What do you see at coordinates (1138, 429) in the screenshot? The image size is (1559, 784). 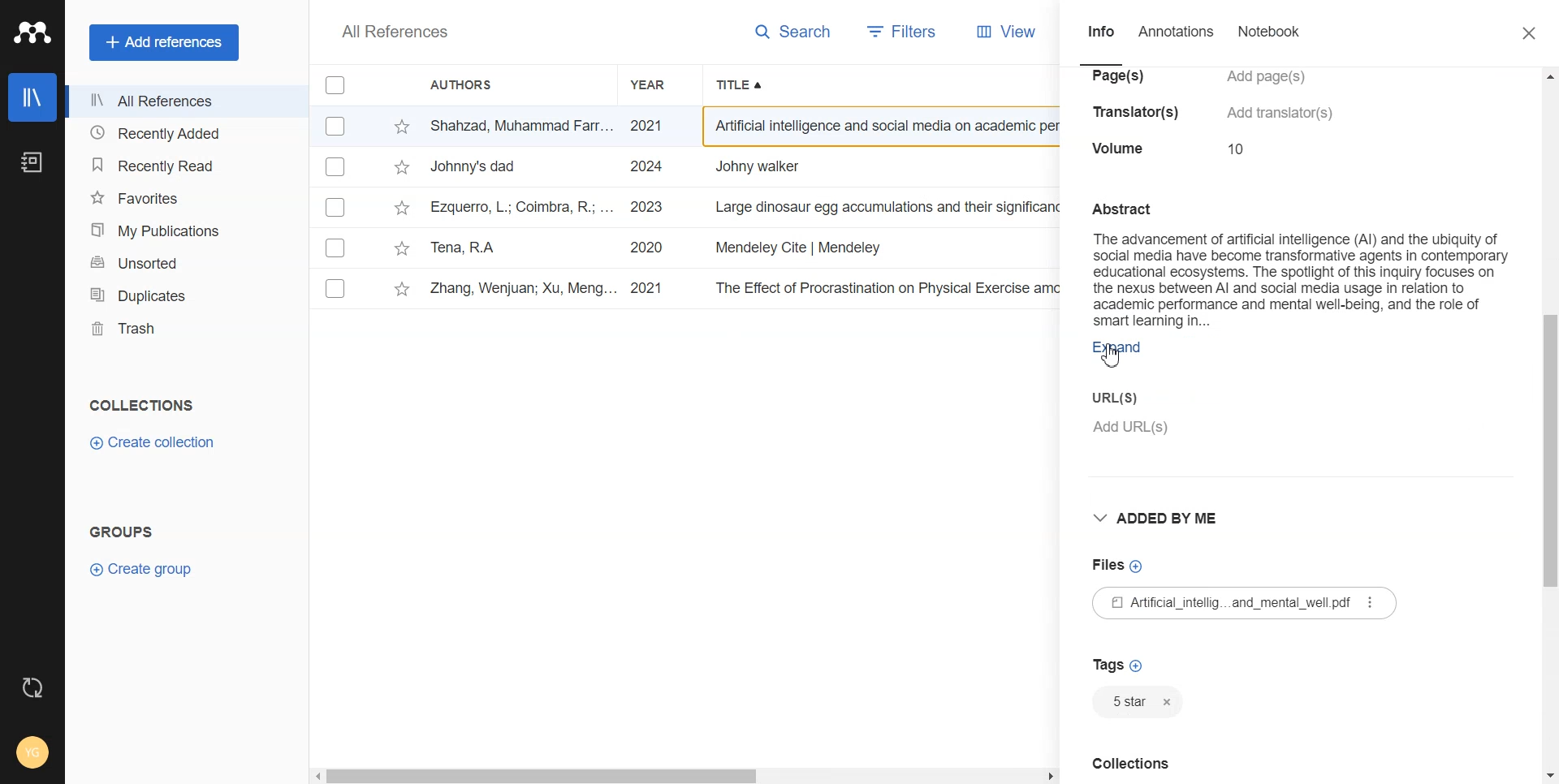 I see `add URL` at bounding box center [1138, 429].